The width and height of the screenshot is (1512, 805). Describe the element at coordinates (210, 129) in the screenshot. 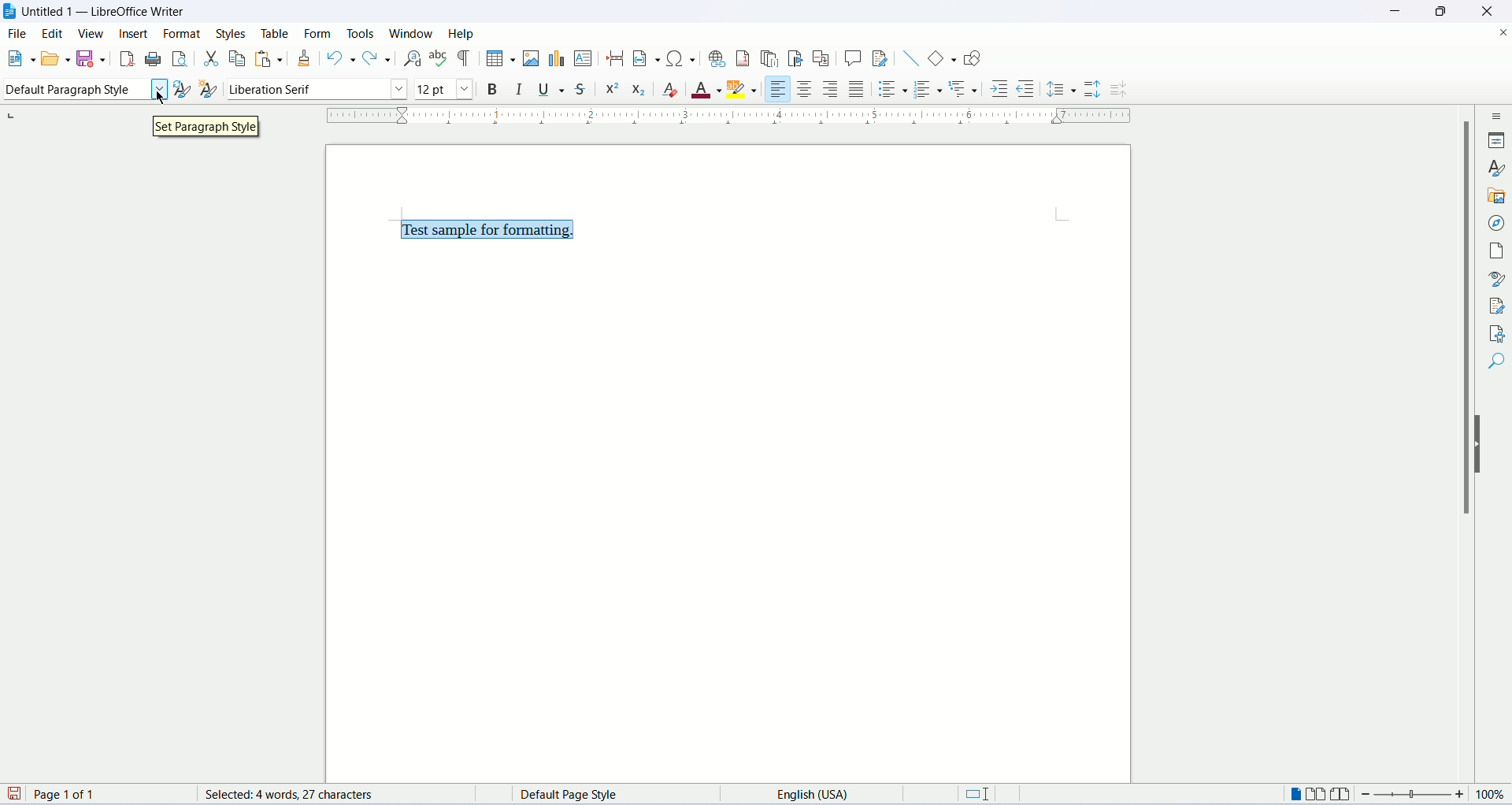

I see `set paragraph style` at that location.